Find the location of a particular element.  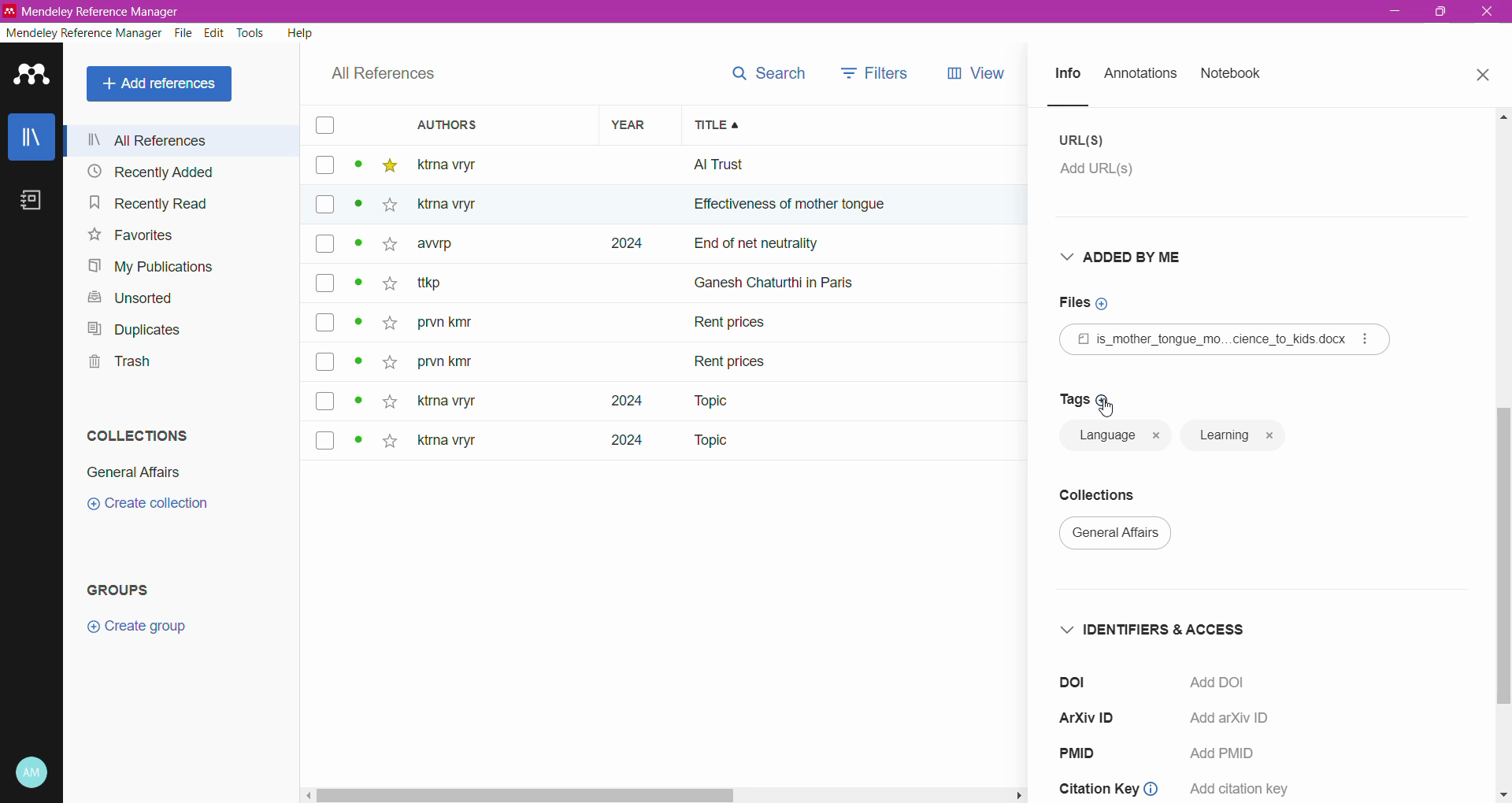

Last sync is located at coordinates (31, 710).